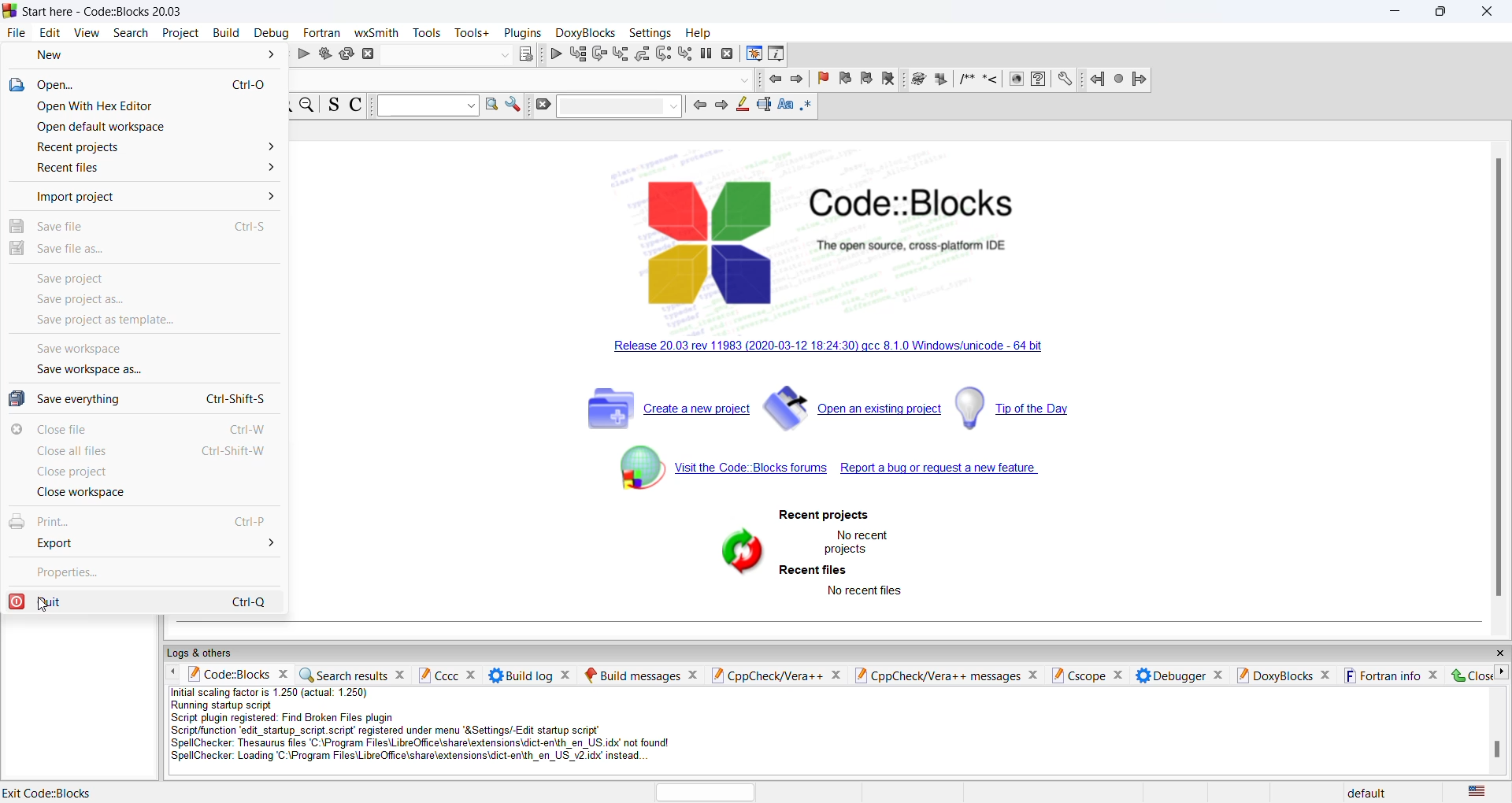 The height and width of the screenshot is (803, 1512). I want to click on close, so click(1490, 13).